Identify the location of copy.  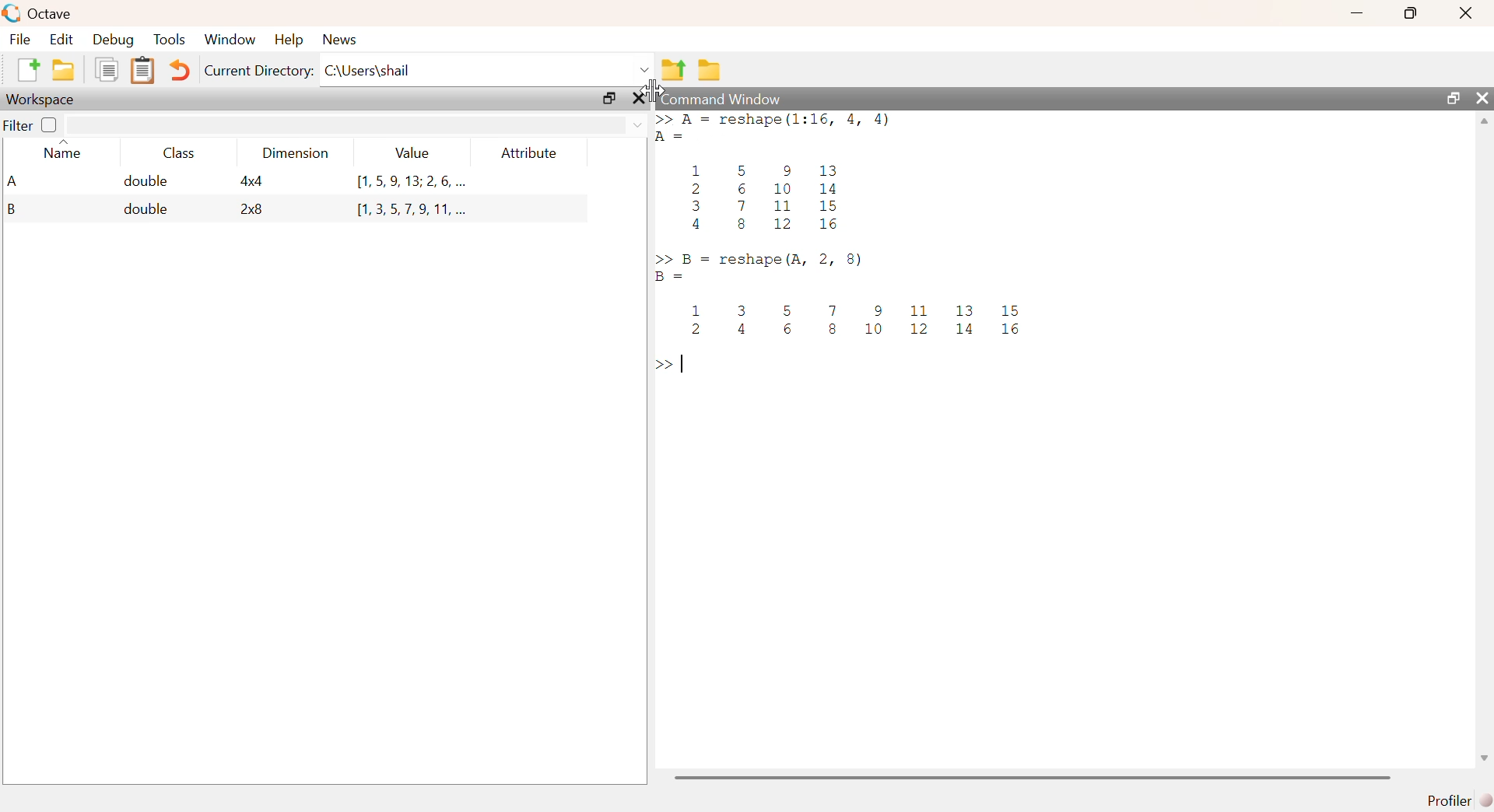
(108, 71).